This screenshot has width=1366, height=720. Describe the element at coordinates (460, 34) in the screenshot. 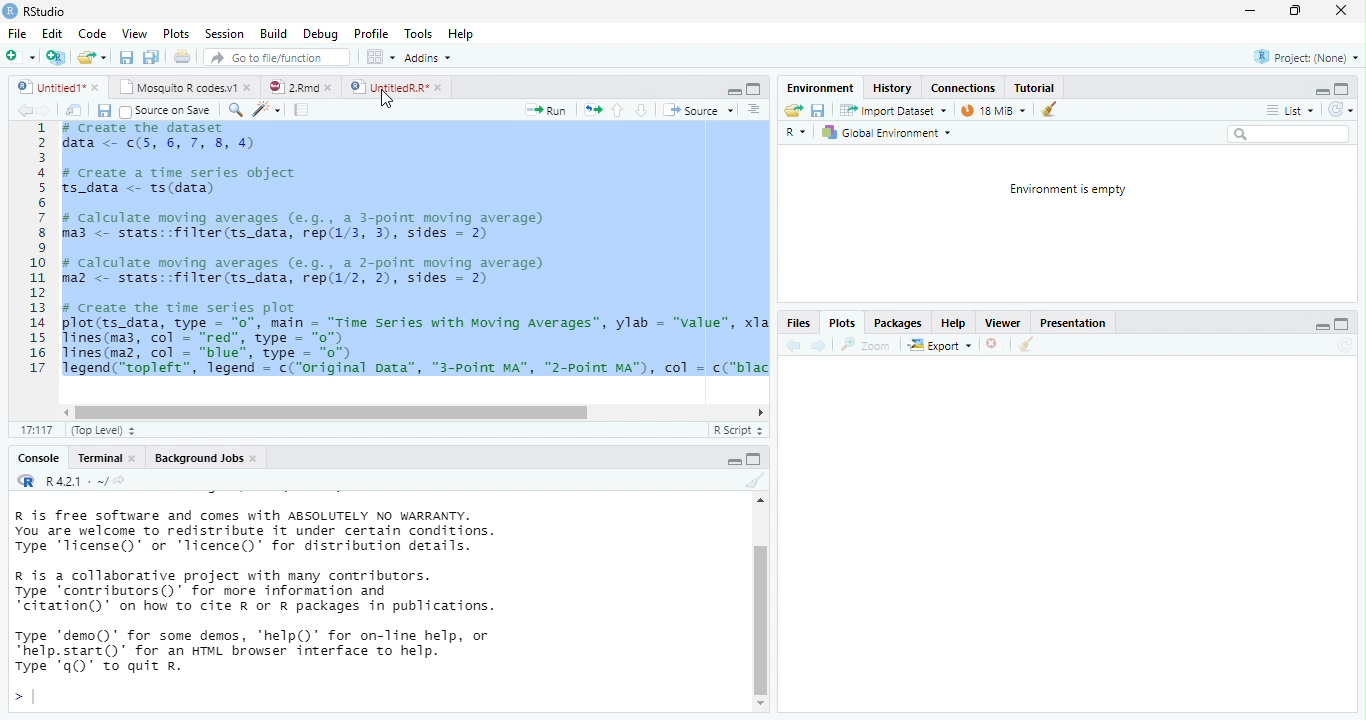

I see `Hep` at that location.